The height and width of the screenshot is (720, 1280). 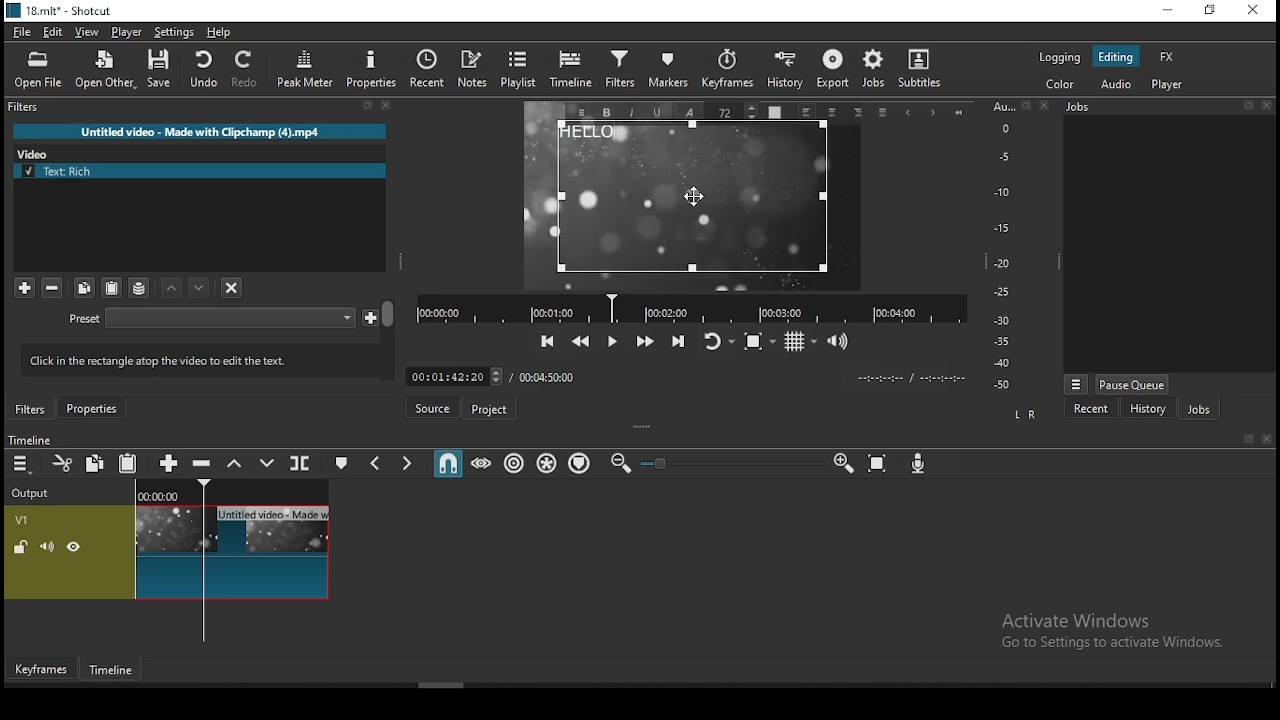 I want to click on Left align, so click(x=806, y=112).